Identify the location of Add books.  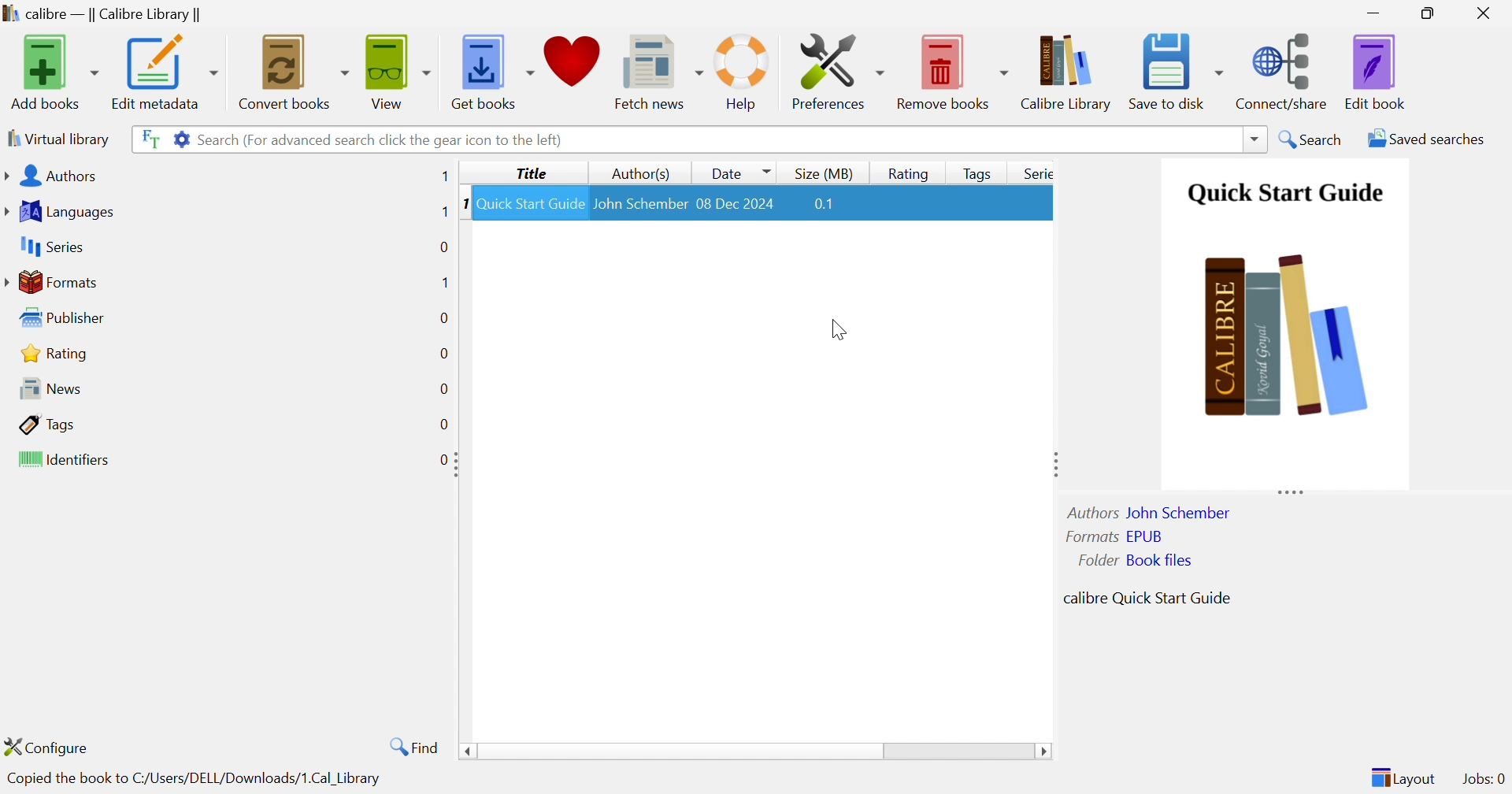
(54, 70).